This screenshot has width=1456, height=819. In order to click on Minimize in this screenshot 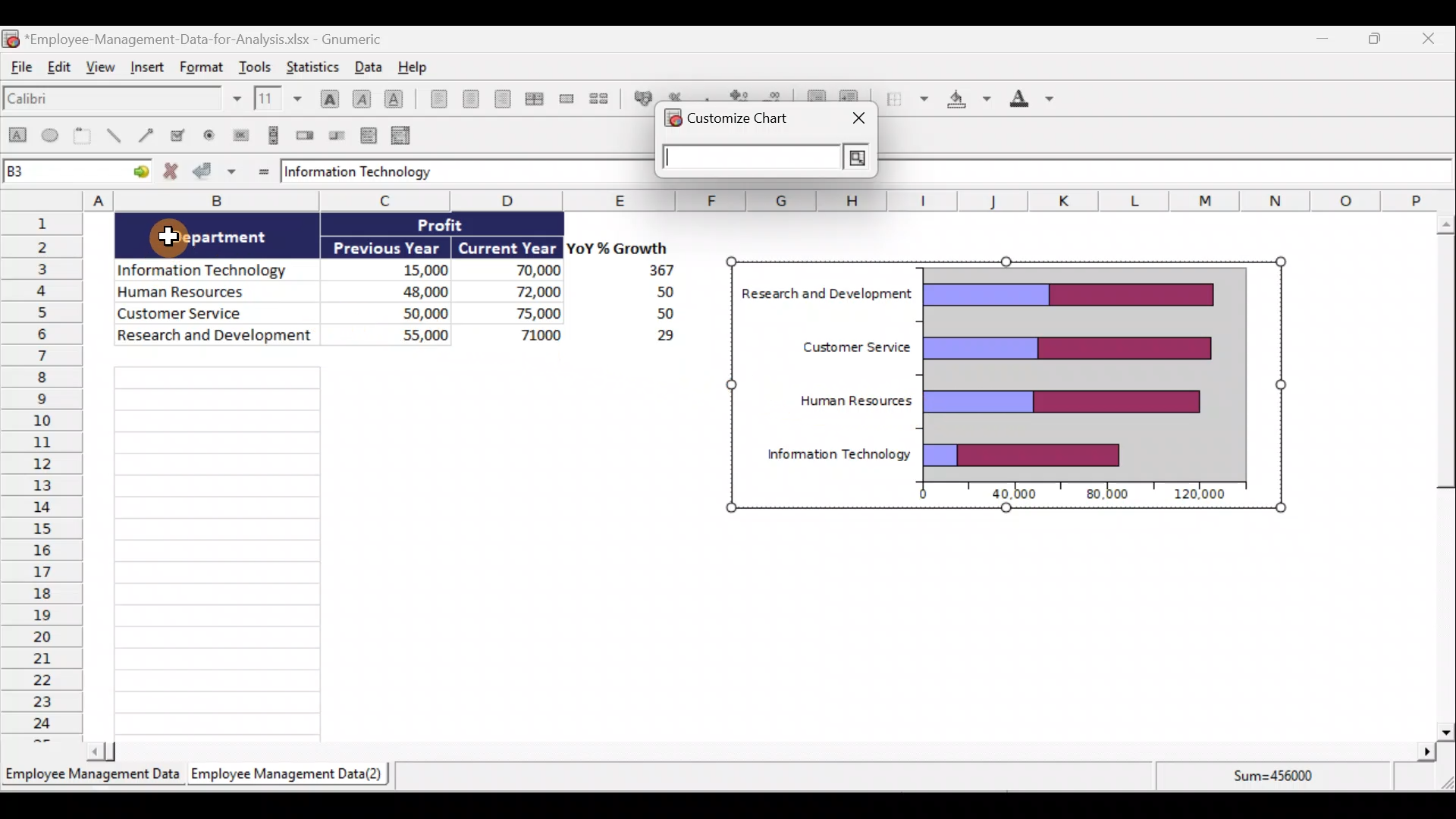, I will do `click(1322, 39)`.